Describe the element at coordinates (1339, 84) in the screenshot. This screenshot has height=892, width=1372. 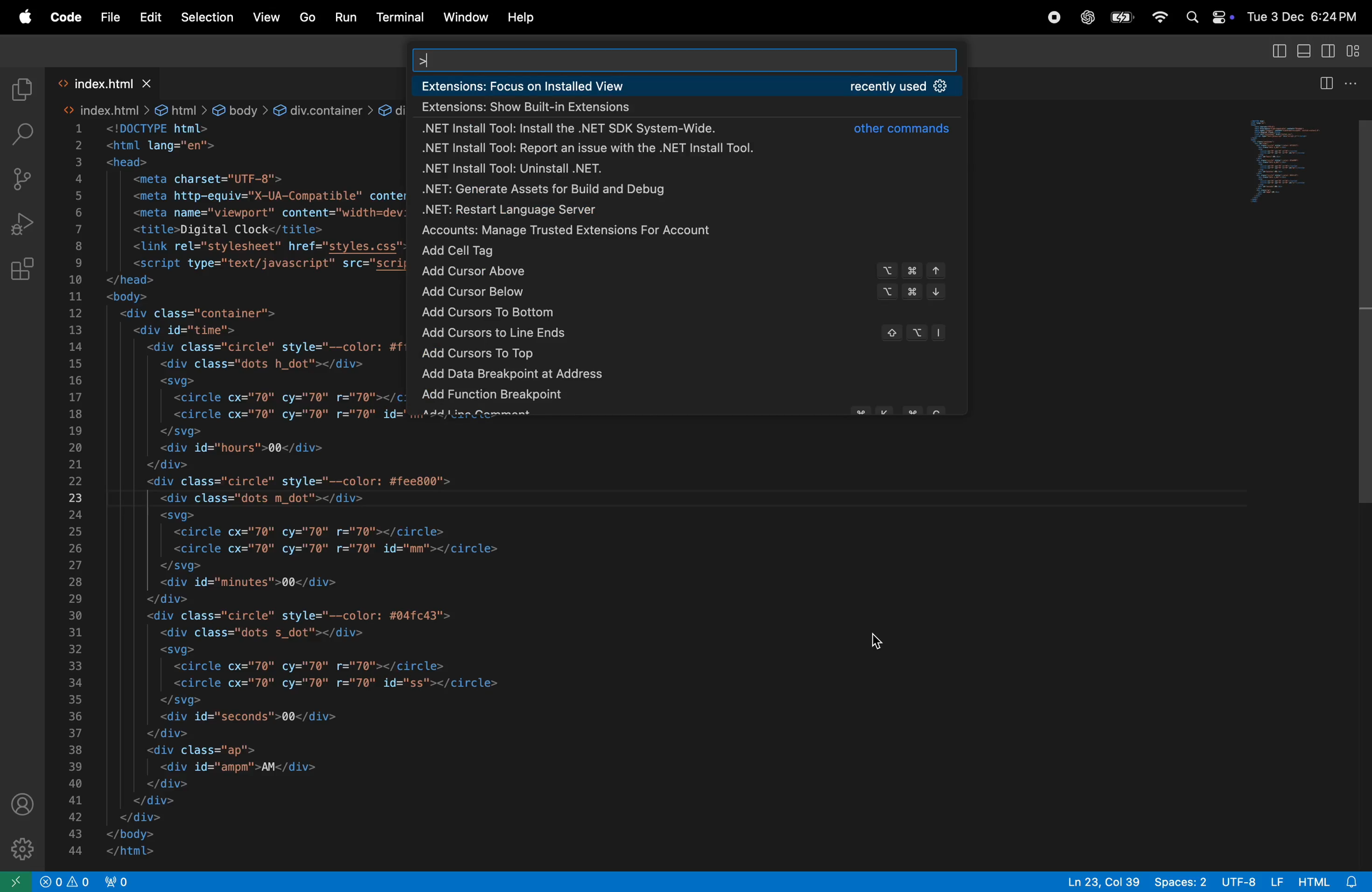
I see `split editor` at that location.